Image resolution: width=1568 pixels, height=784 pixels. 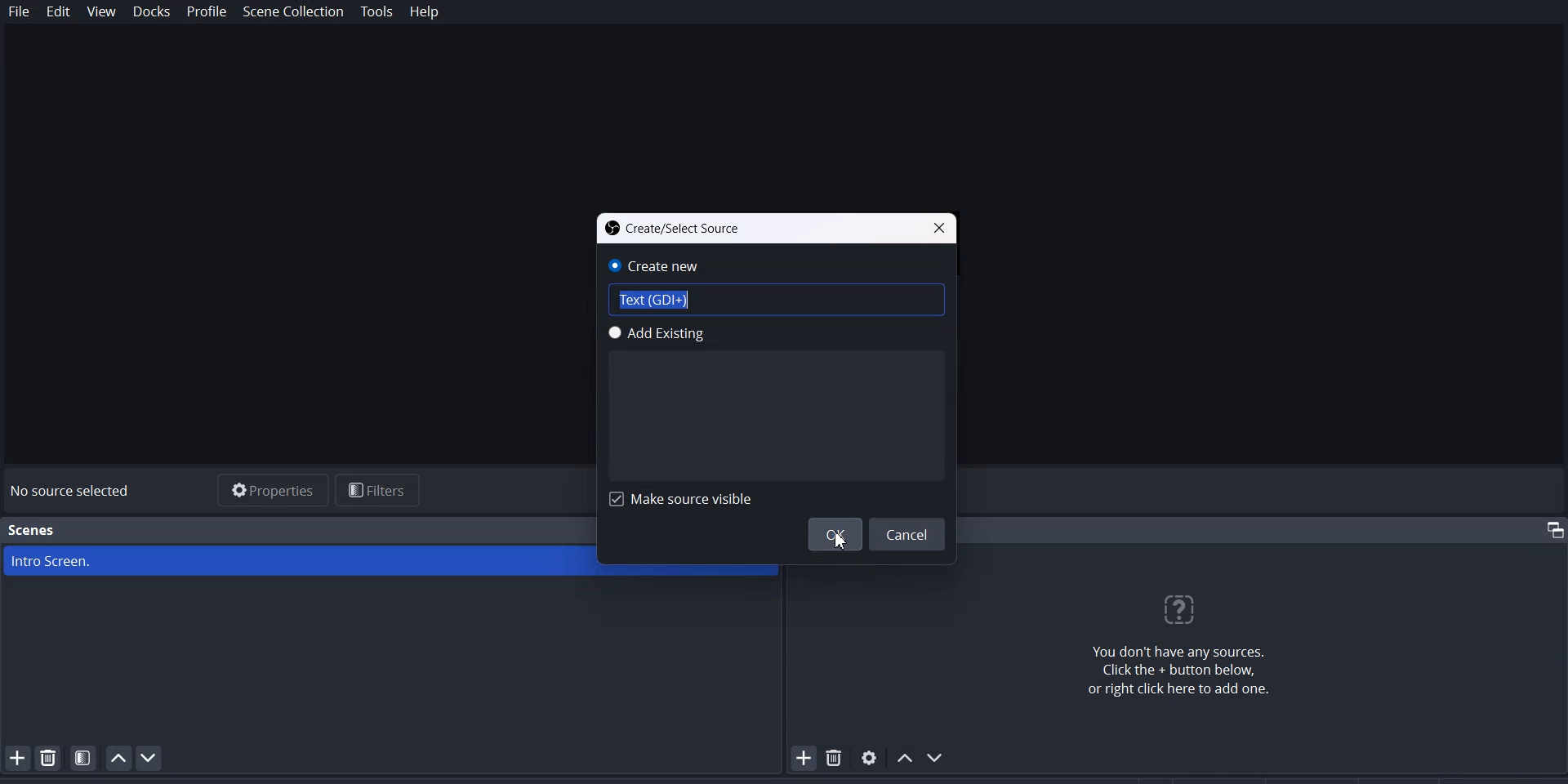 I want to click on Cancel, so click(x=911, y=533).